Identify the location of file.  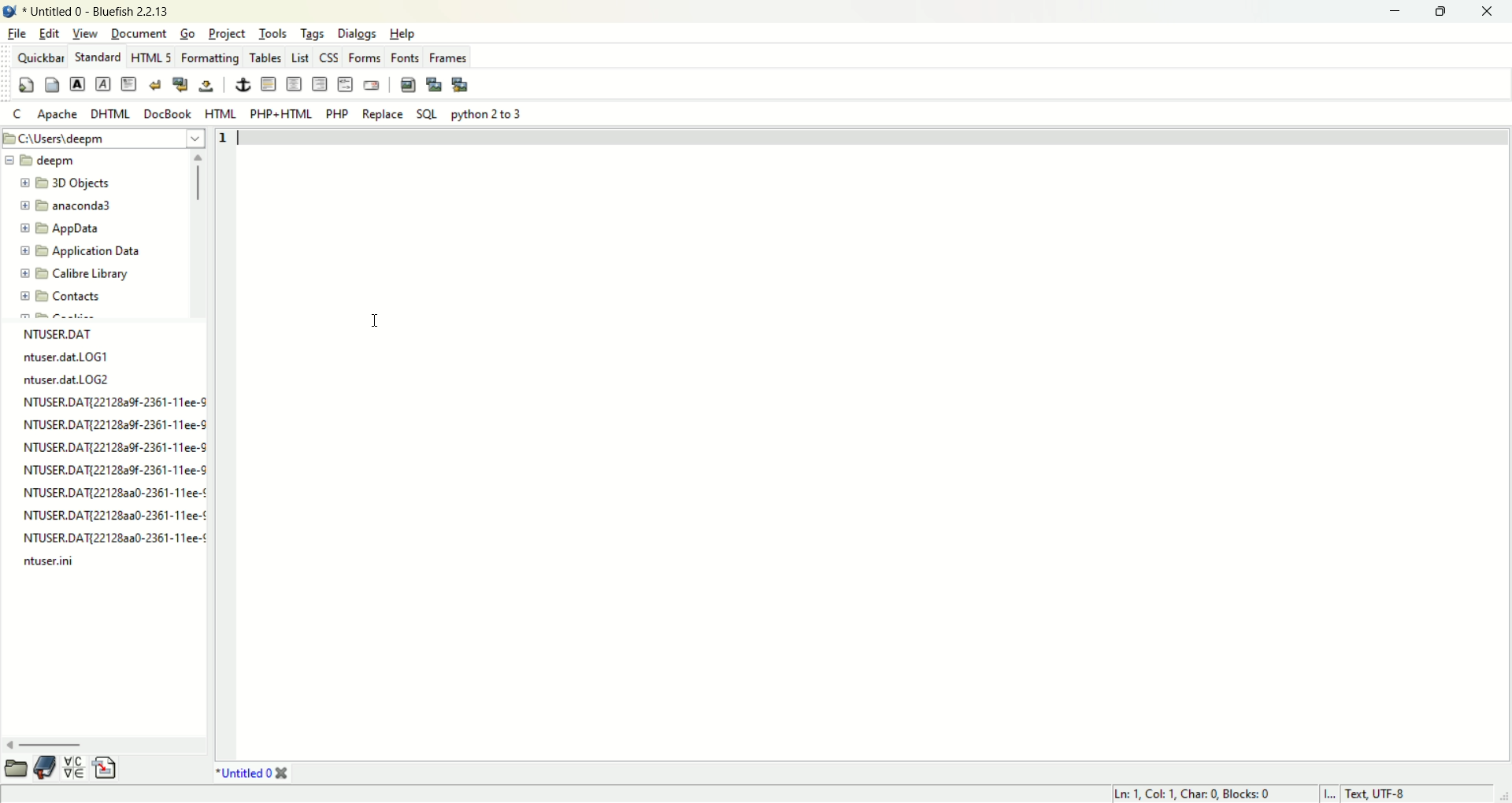
(18, 34).